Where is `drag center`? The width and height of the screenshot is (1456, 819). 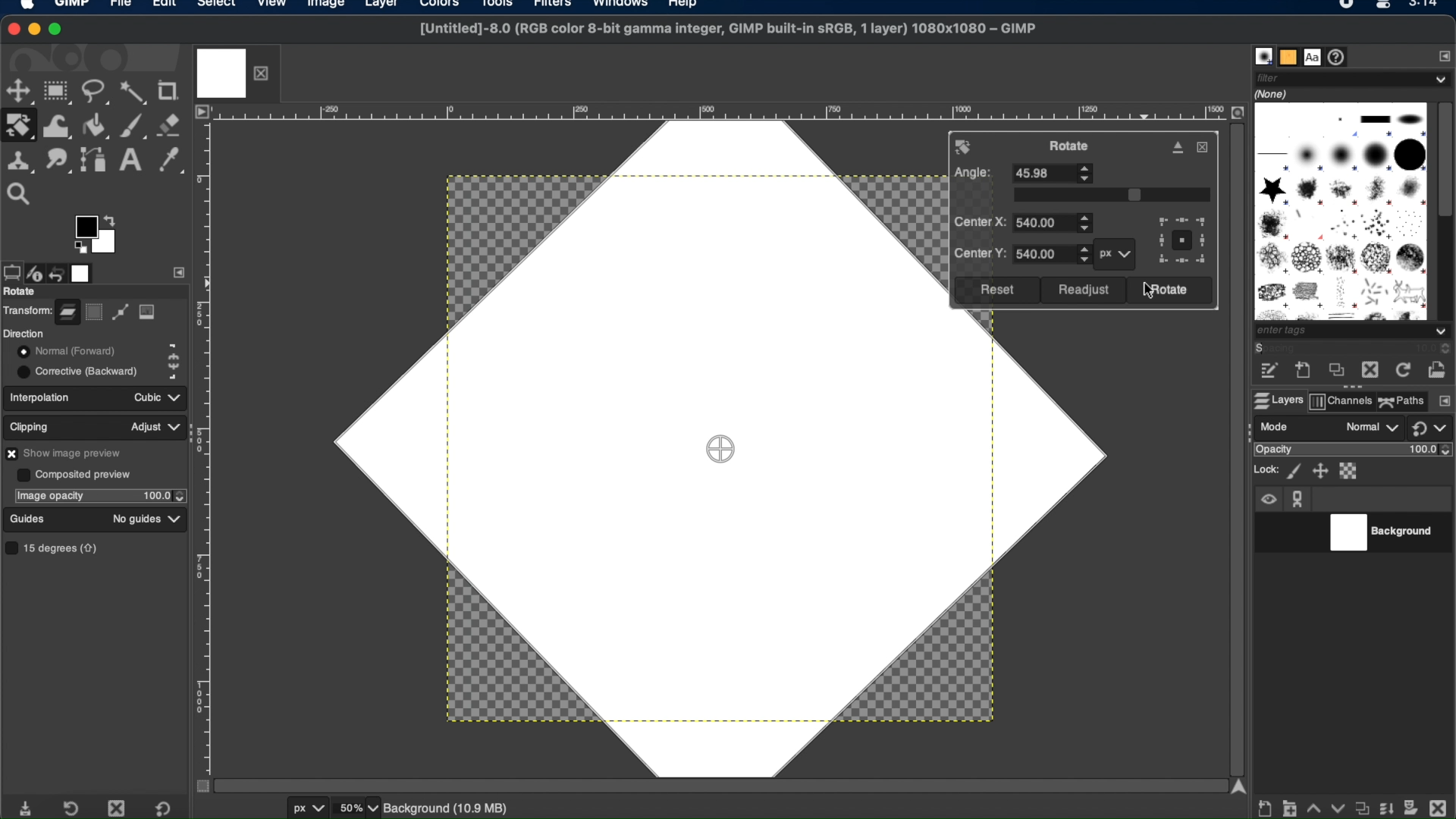 drag center is located at coordinates (722, 450).